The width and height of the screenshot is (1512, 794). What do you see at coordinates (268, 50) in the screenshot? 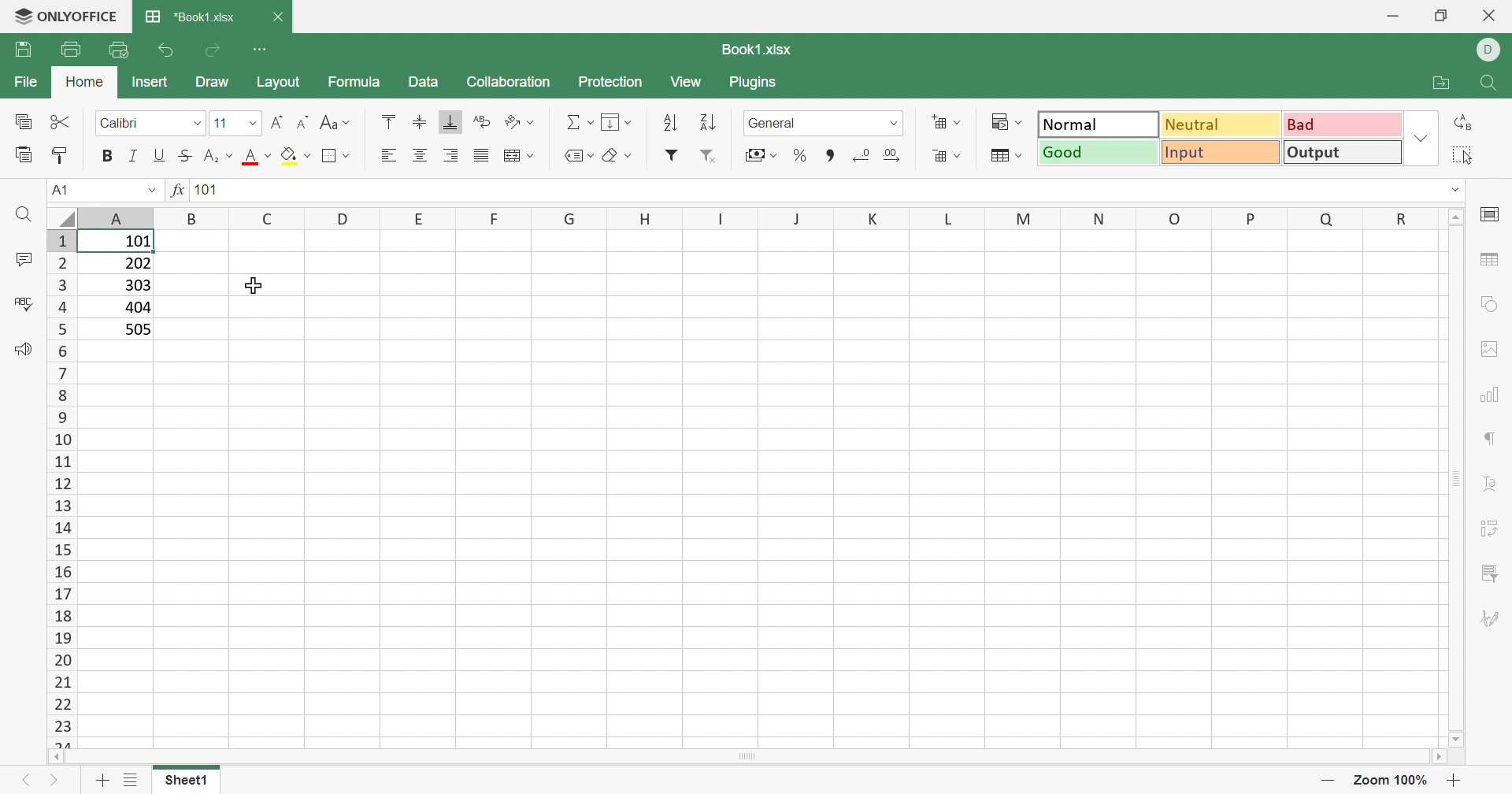
I see `Customize quick access toolbar` at bounding box center [268, 50].